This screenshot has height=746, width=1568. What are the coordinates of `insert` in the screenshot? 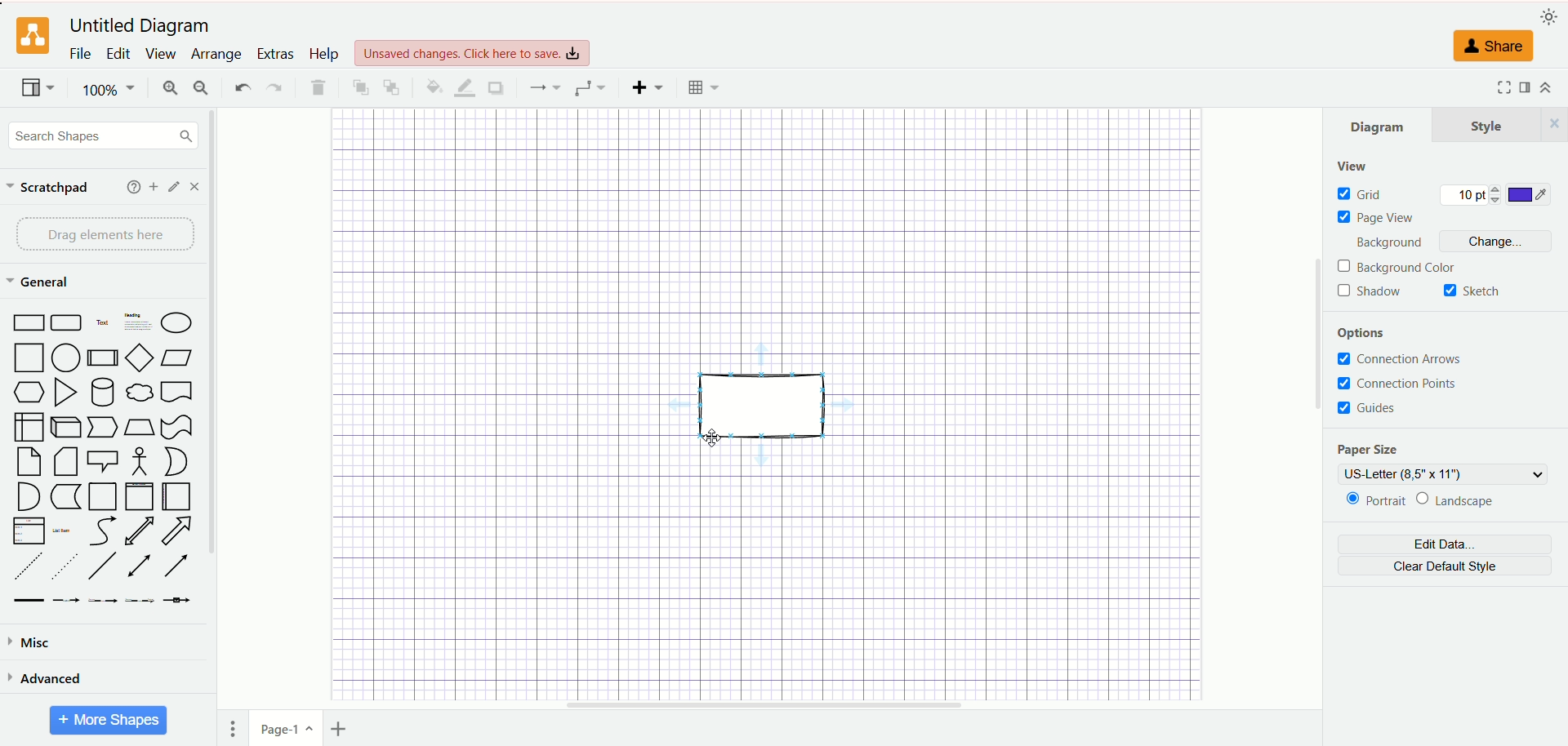 It's located at (644, 87).